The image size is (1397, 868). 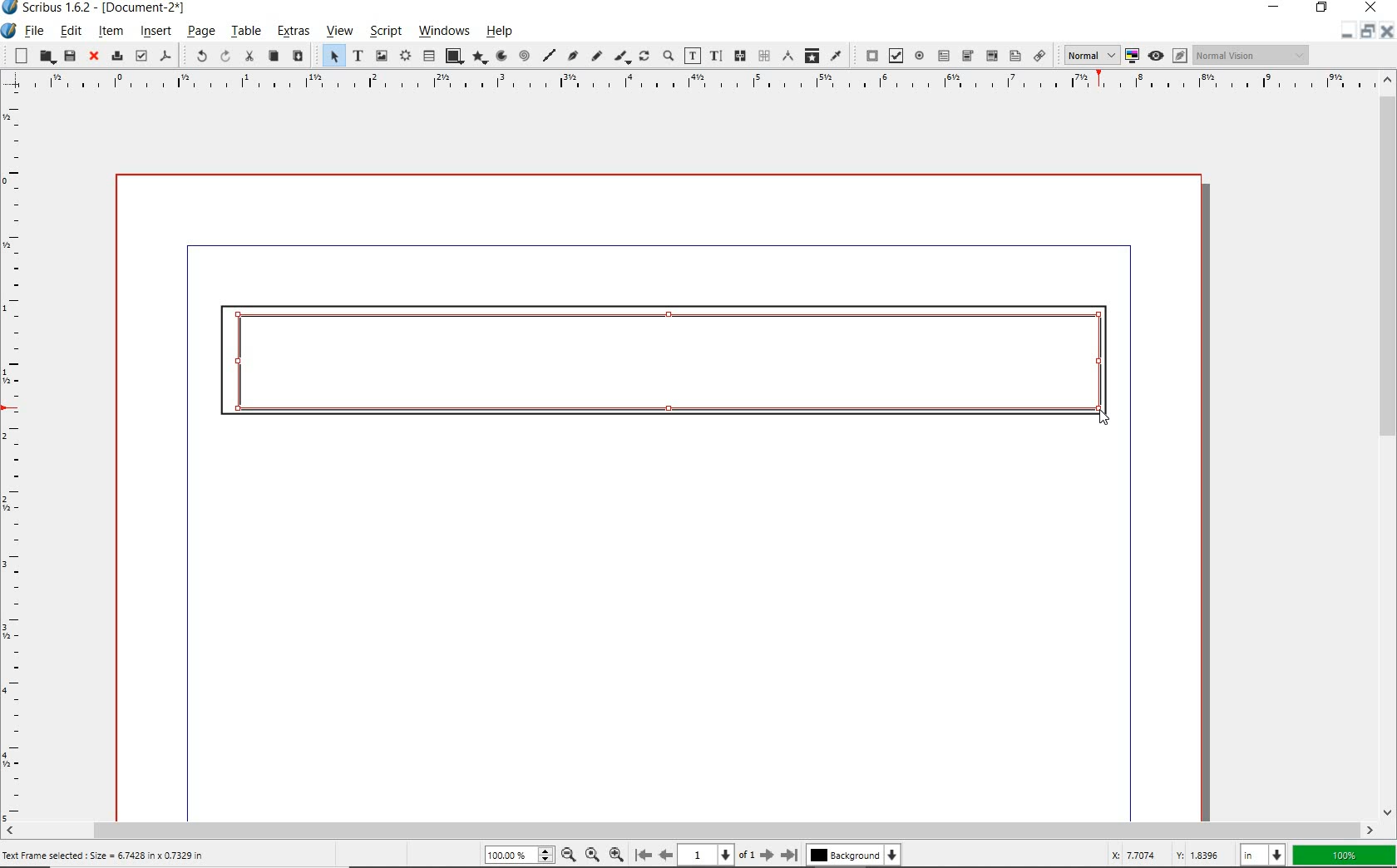 What do you see at coordinates (568, 854) in the screenshot?
I see `zoom in` at bounding box center [568, 854].